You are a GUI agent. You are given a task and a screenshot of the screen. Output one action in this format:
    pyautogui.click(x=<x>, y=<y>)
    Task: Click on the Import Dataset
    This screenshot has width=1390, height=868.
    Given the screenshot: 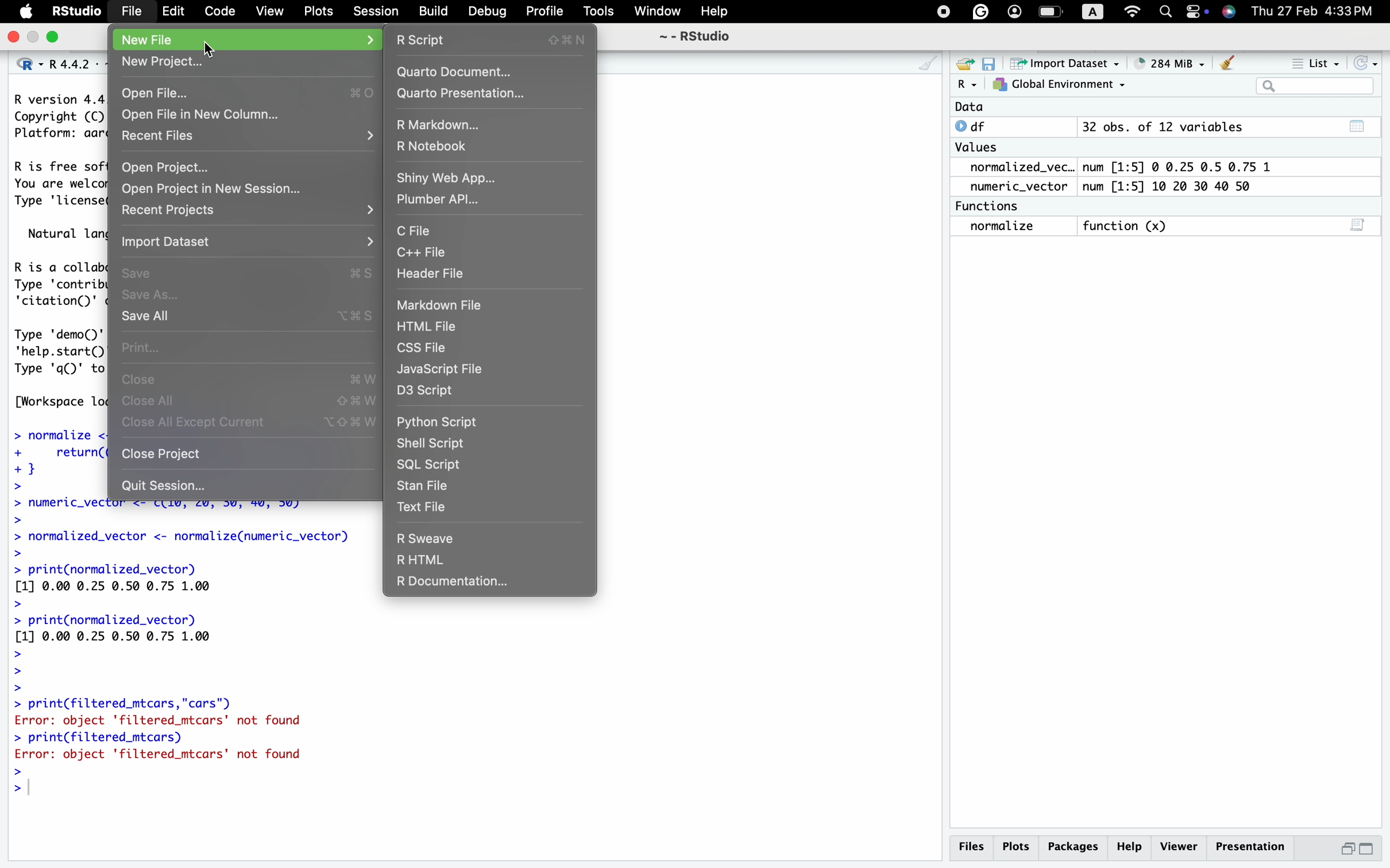 What is the action you would take?
    pyautogui.click(x=1062, y=64)
    